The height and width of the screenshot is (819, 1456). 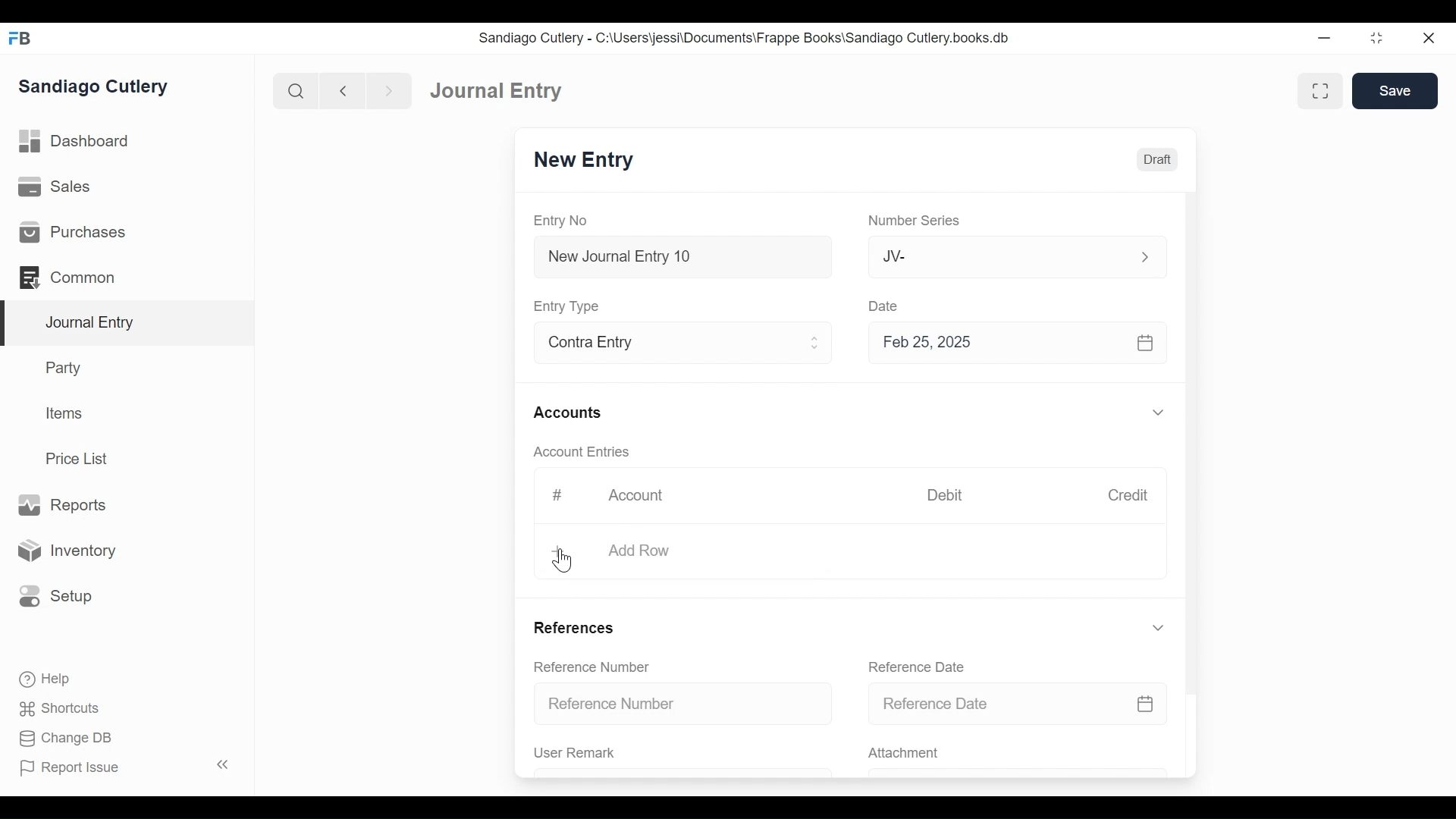 I want to click on Debit, so click(x=951, y=495).